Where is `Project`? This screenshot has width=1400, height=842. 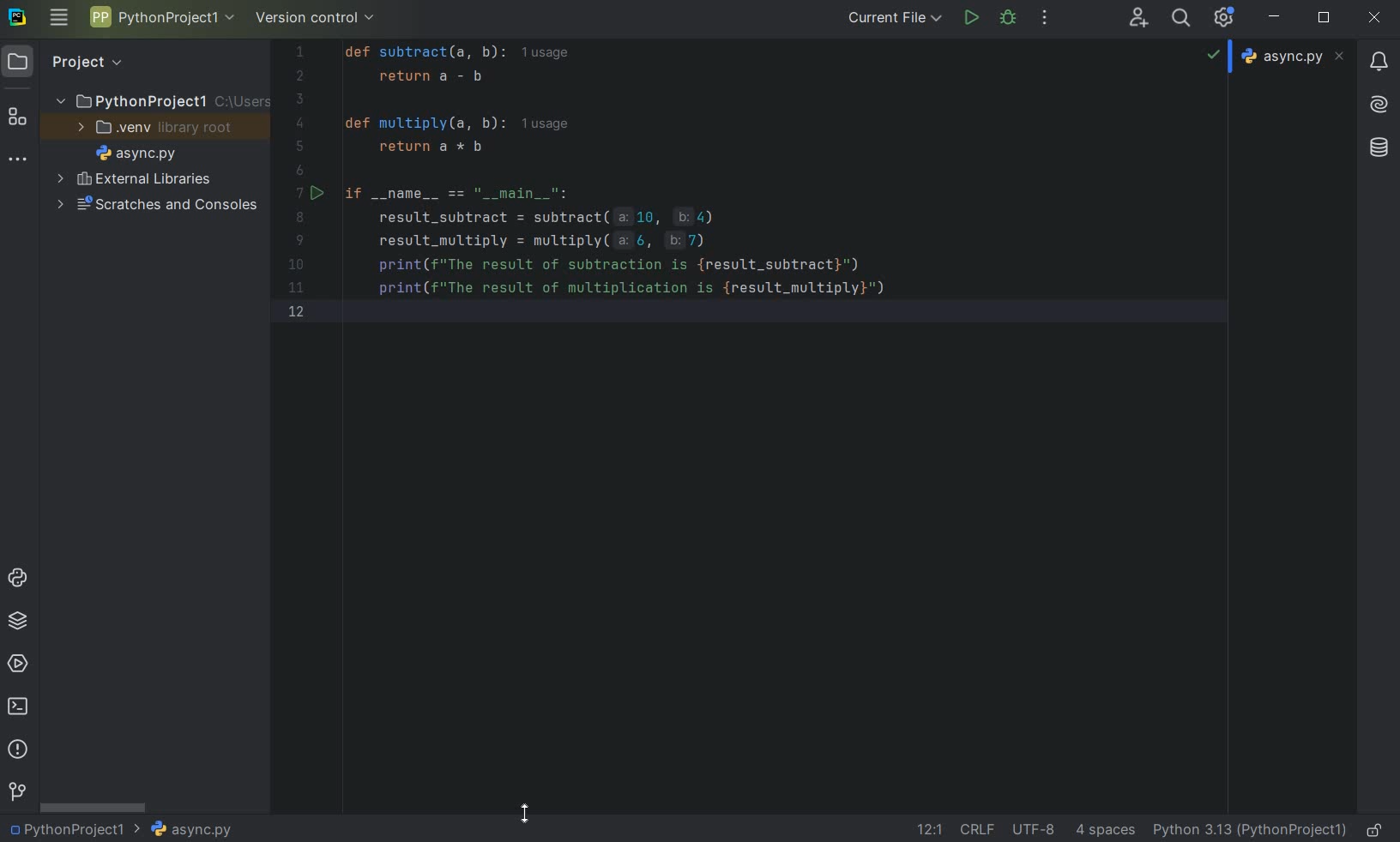
Project is located at coordinates (87, 63).